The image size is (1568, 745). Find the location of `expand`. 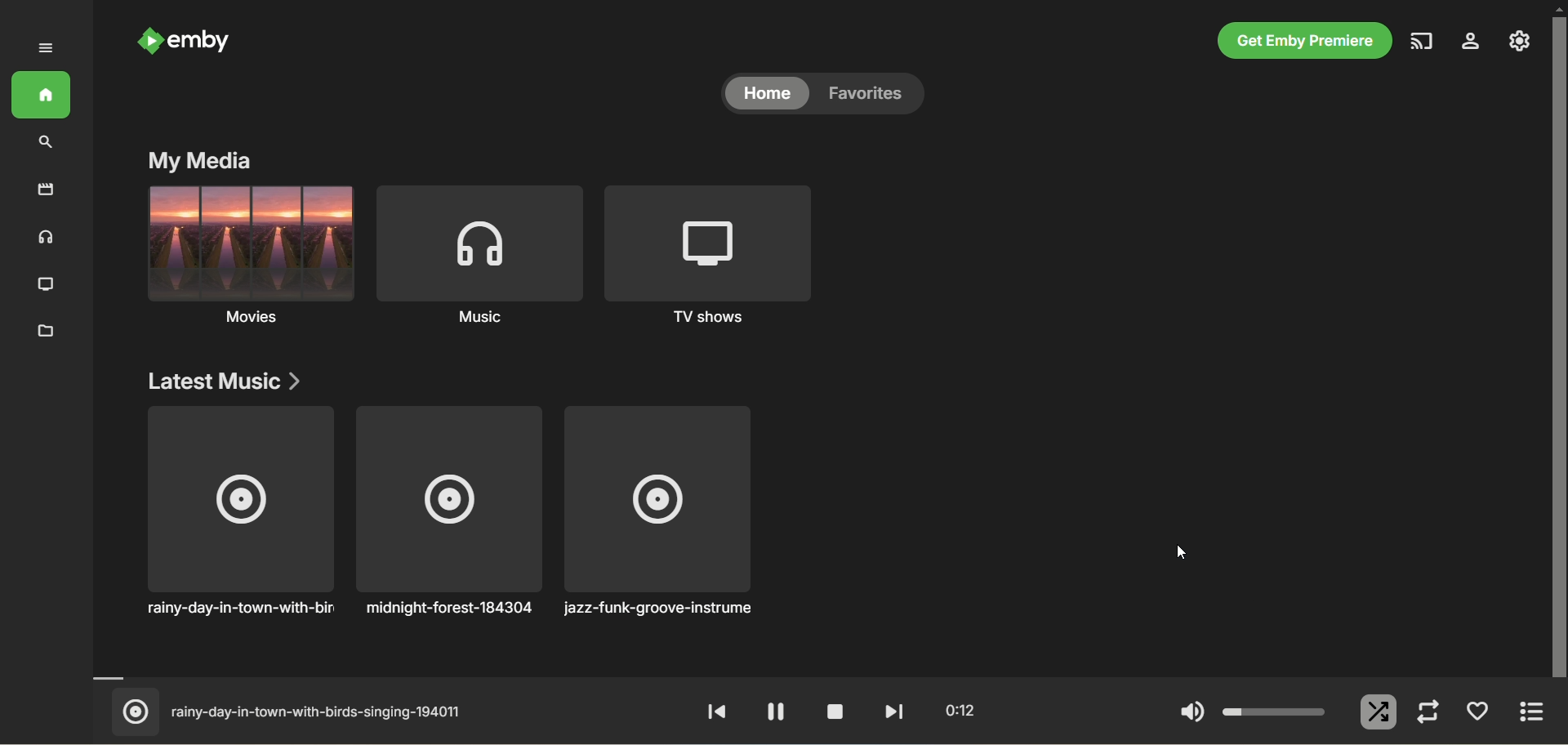

expand is located at coordinates (1527, 716).